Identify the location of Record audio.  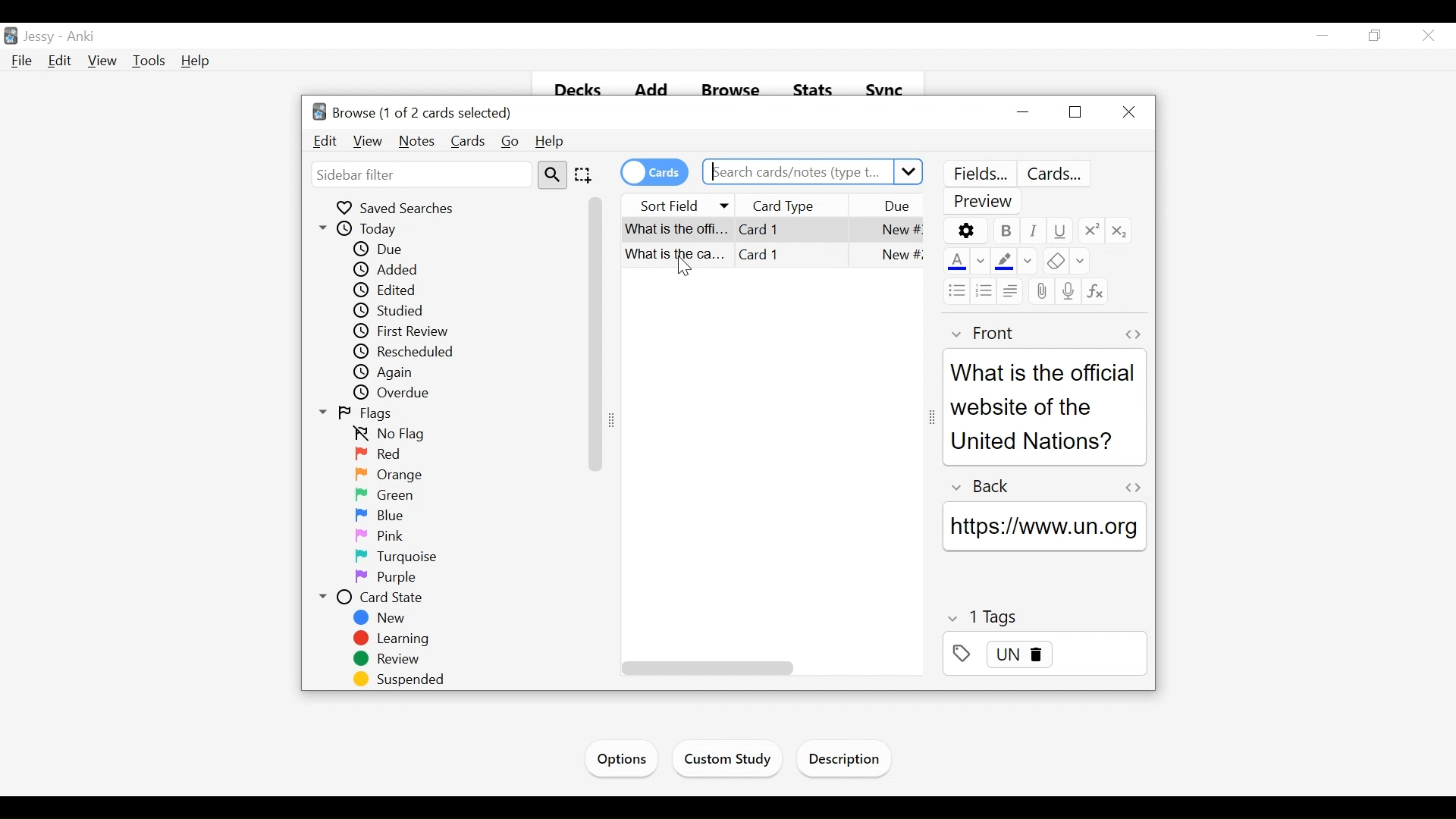
(1067, 290).